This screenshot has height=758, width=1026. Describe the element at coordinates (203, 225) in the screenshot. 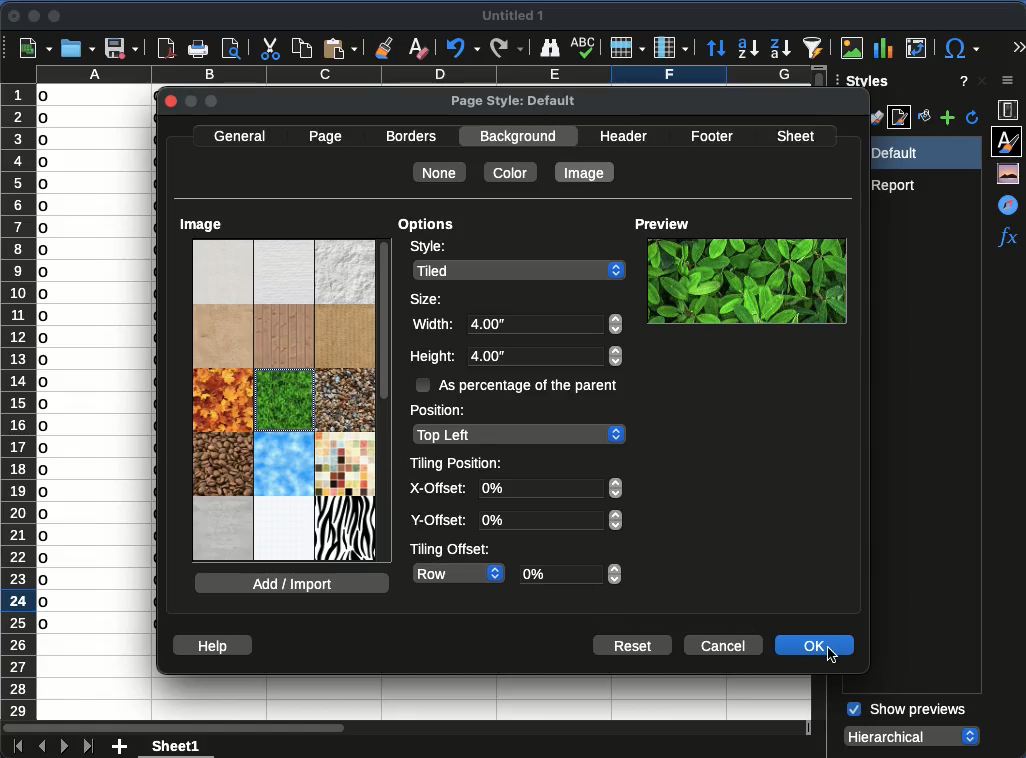

I see `image` at that location.